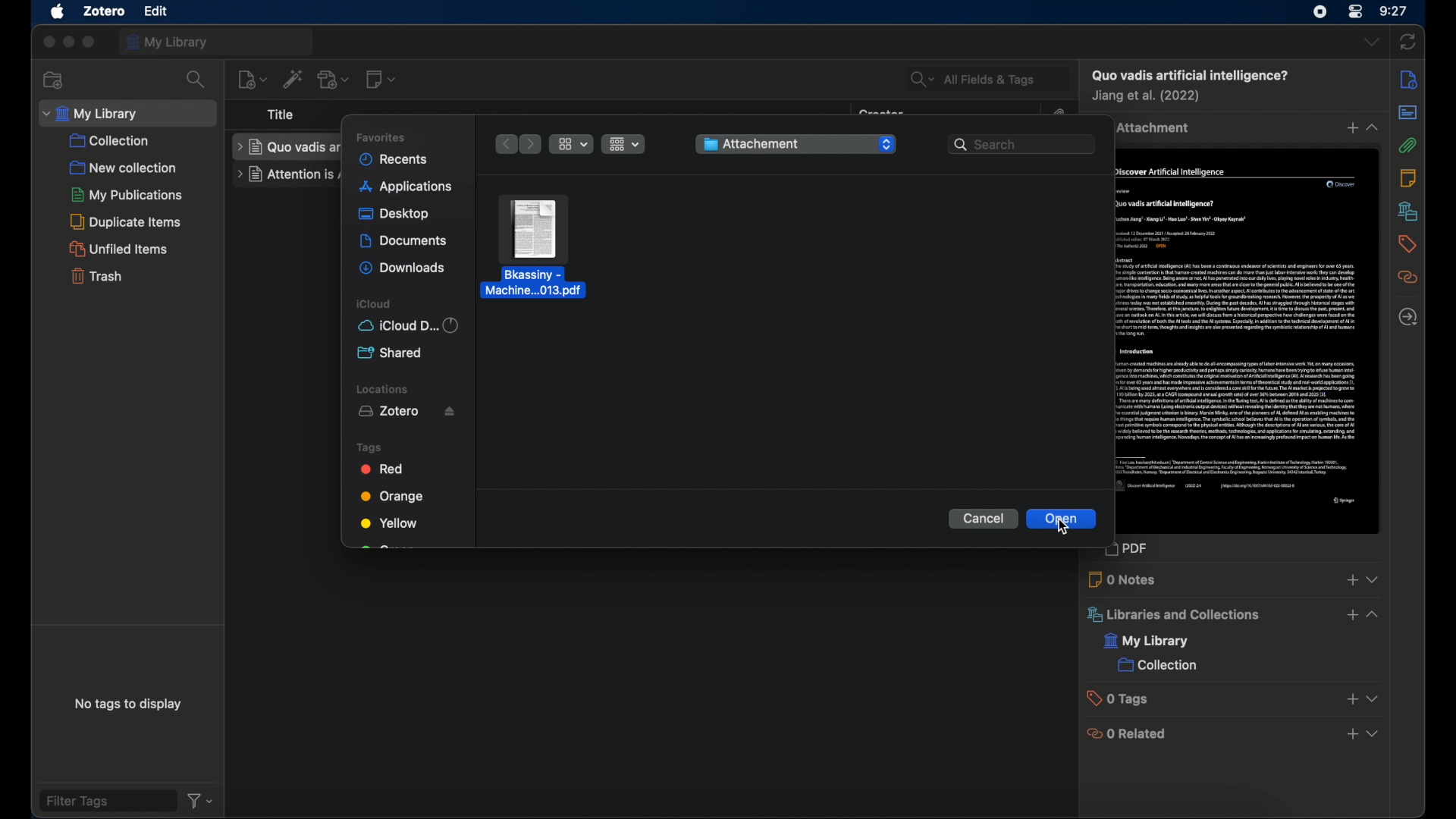 The image size is (1456, 819). I want to click on shared, so click(391, 352).